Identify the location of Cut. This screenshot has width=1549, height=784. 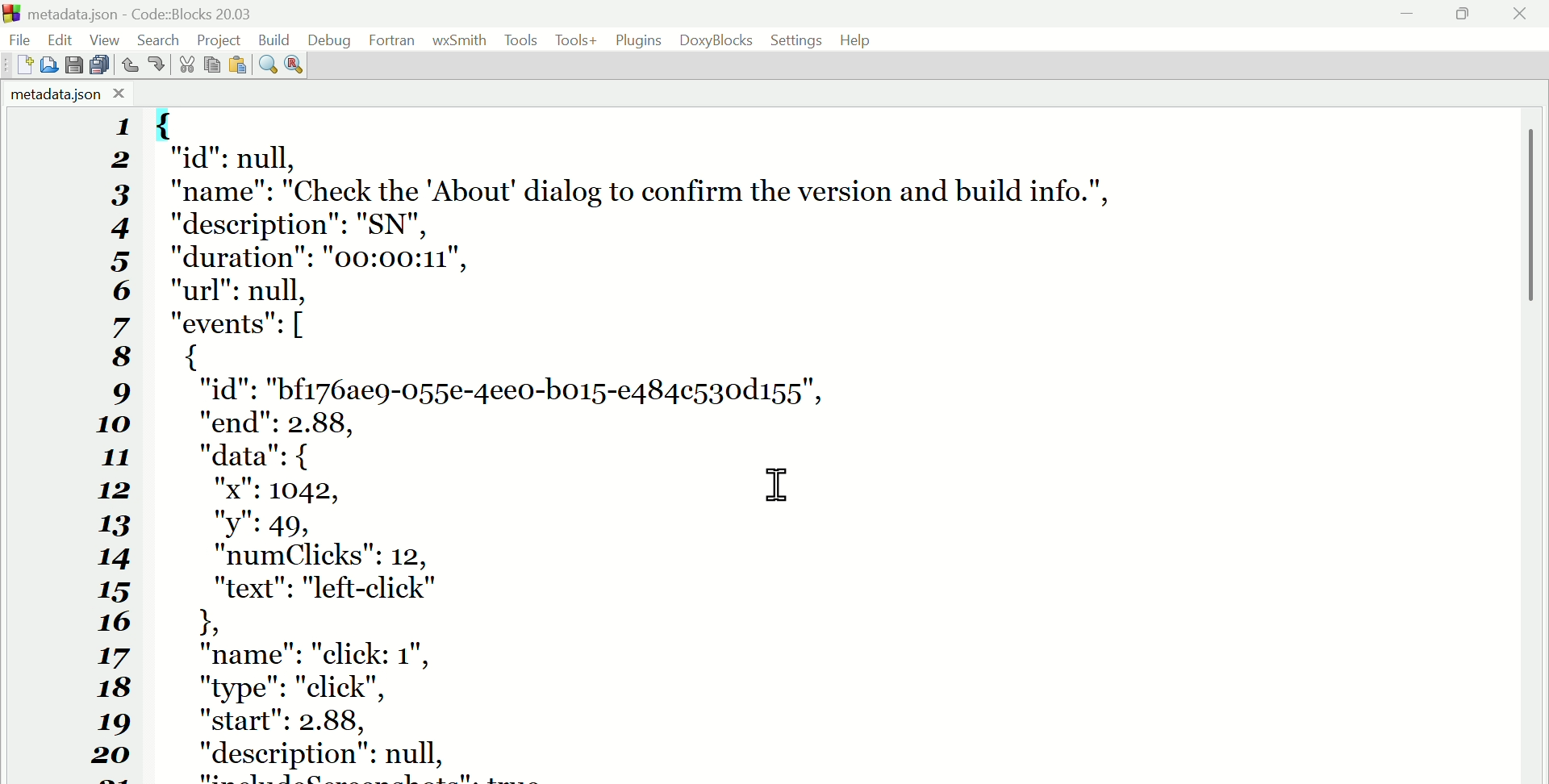
(182, 65).